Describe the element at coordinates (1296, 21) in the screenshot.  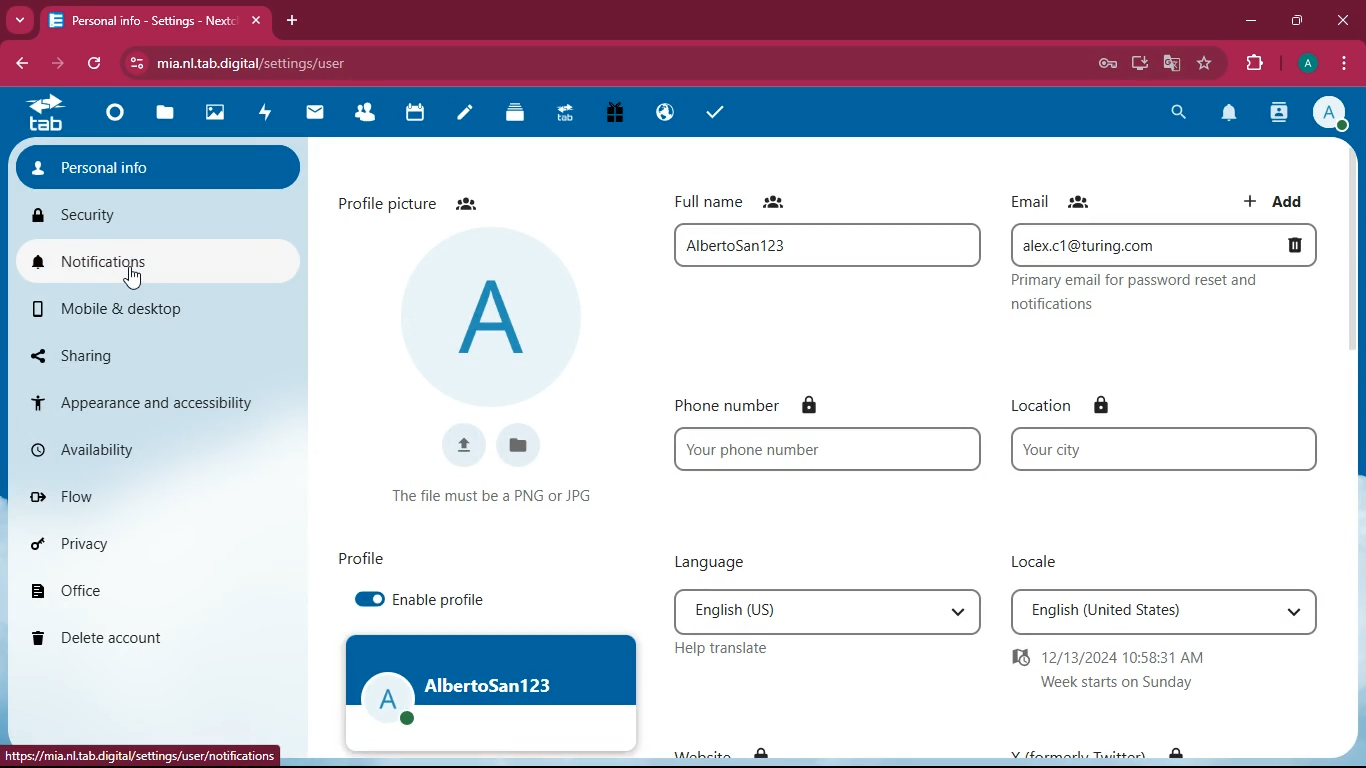
I see `maximize` at that location.